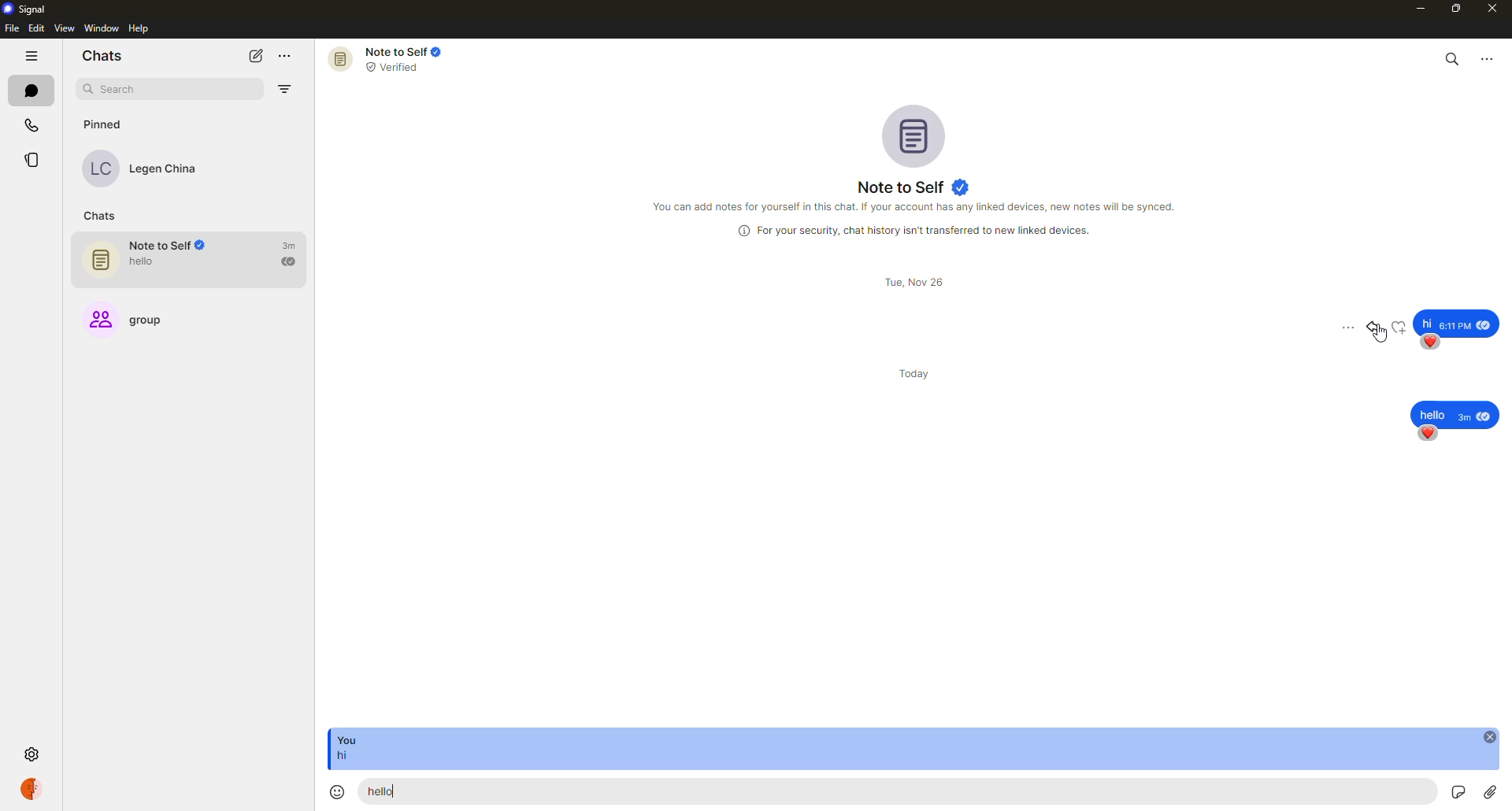 The height and width of the screenshot is (811, 1512). What do you see at coordinates (35, 28) in the screenshot?
I see `edit` at bounding box center [35, 28].